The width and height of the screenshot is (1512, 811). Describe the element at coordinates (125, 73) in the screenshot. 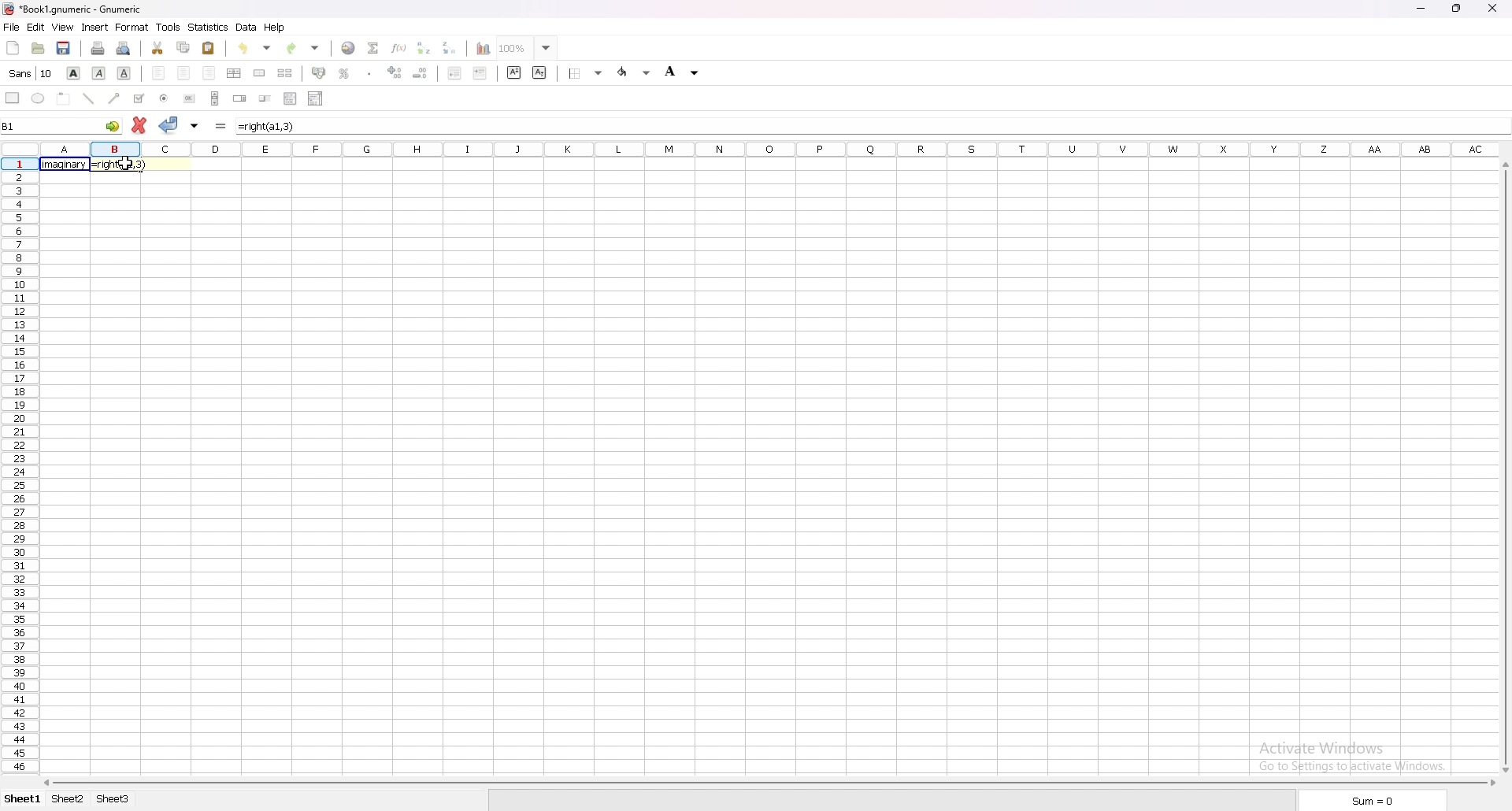

I see `underline` at that location.